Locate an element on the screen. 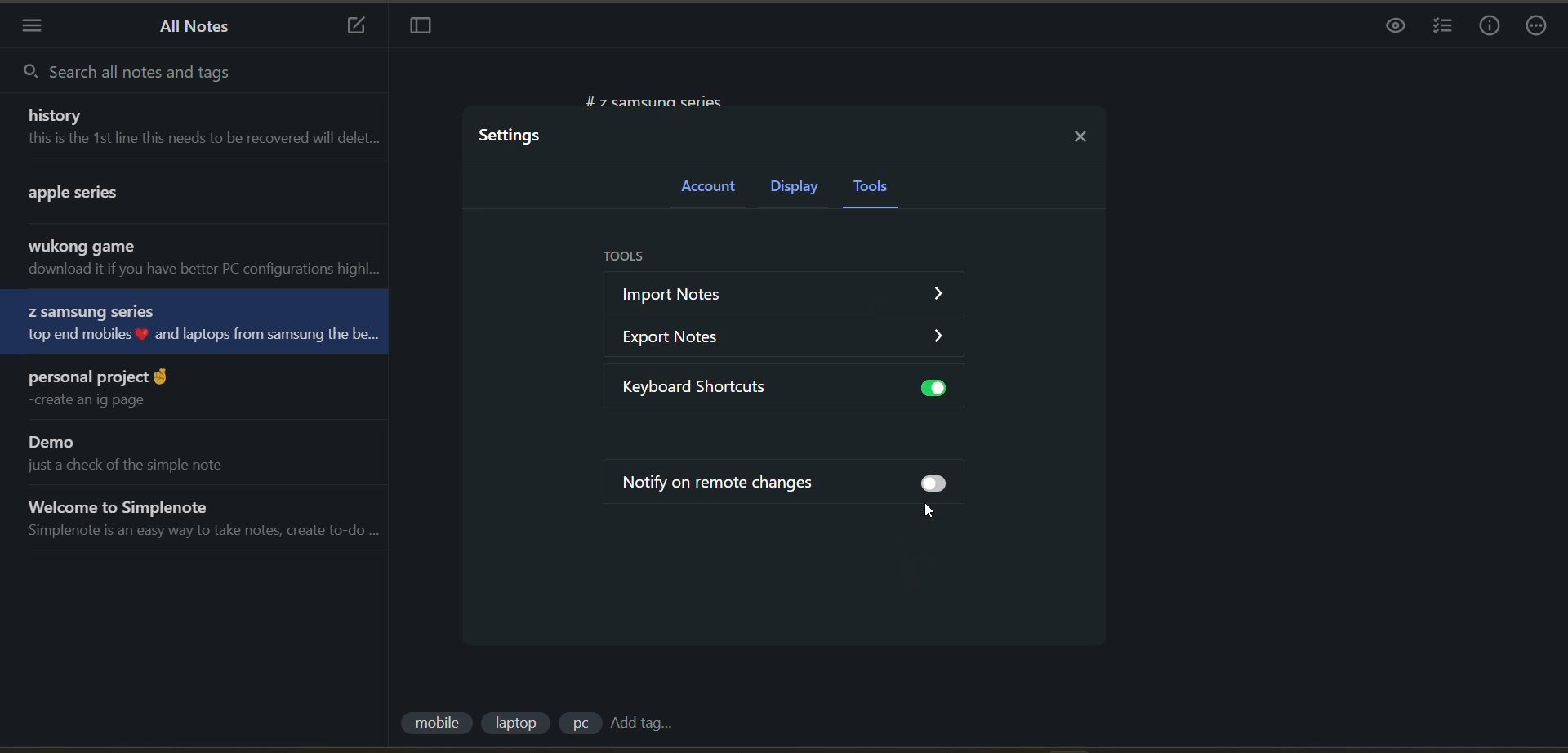 The width and height of the screenshot is (1568, 753). note title and preview is located at coordinates (106, 390).